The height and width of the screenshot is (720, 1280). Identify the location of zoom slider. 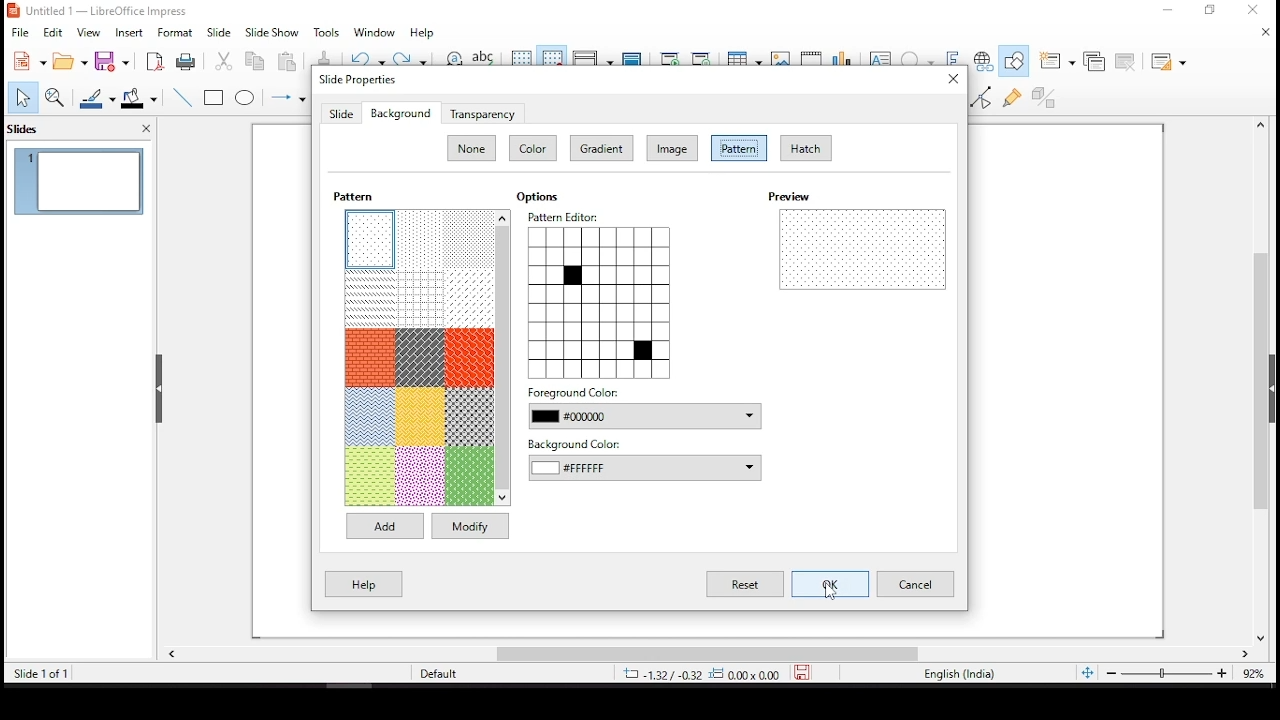
(1165, 673).